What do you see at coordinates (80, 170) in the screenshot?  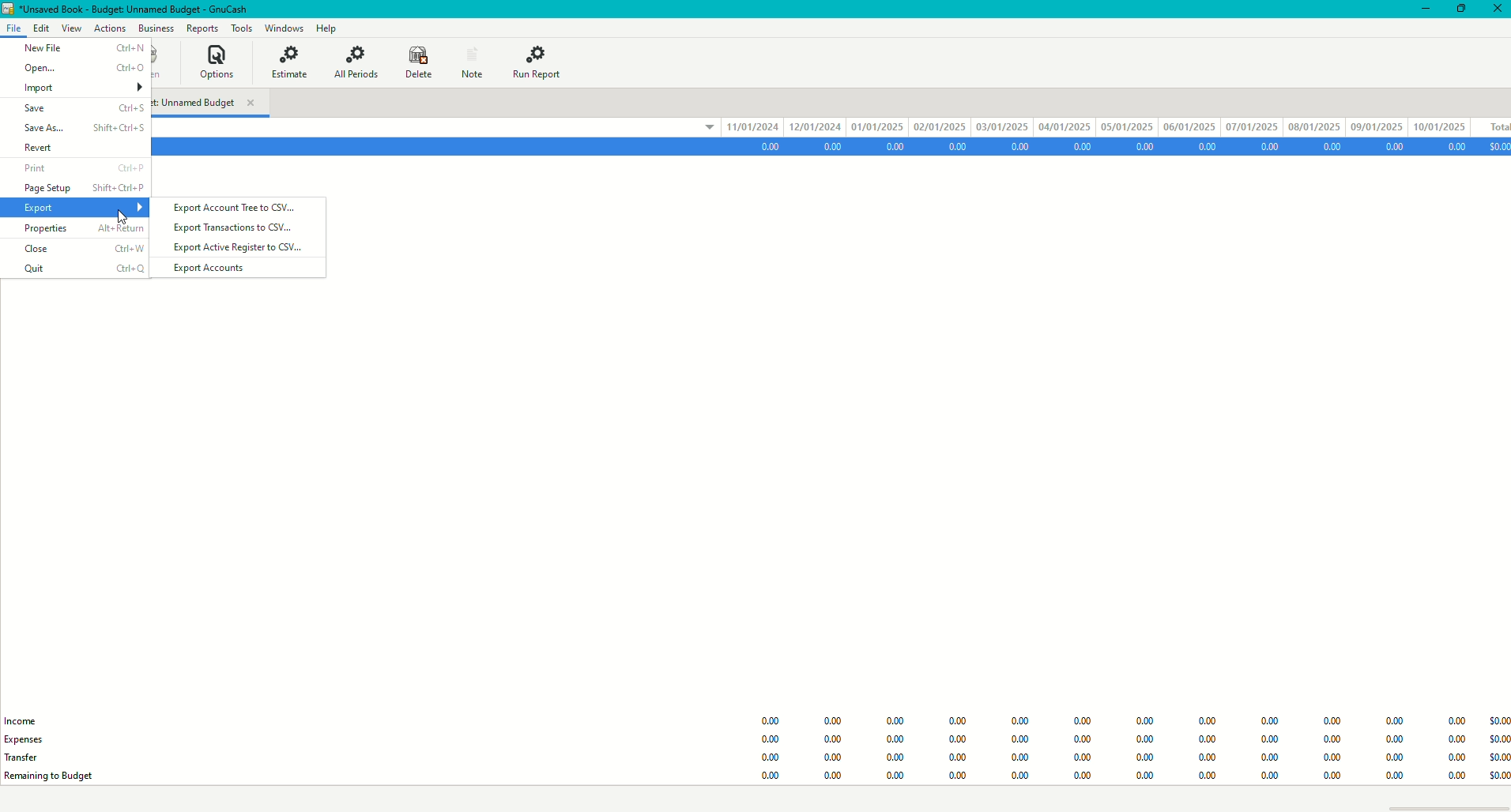 I see `Print` at bounding box center [80, 170].